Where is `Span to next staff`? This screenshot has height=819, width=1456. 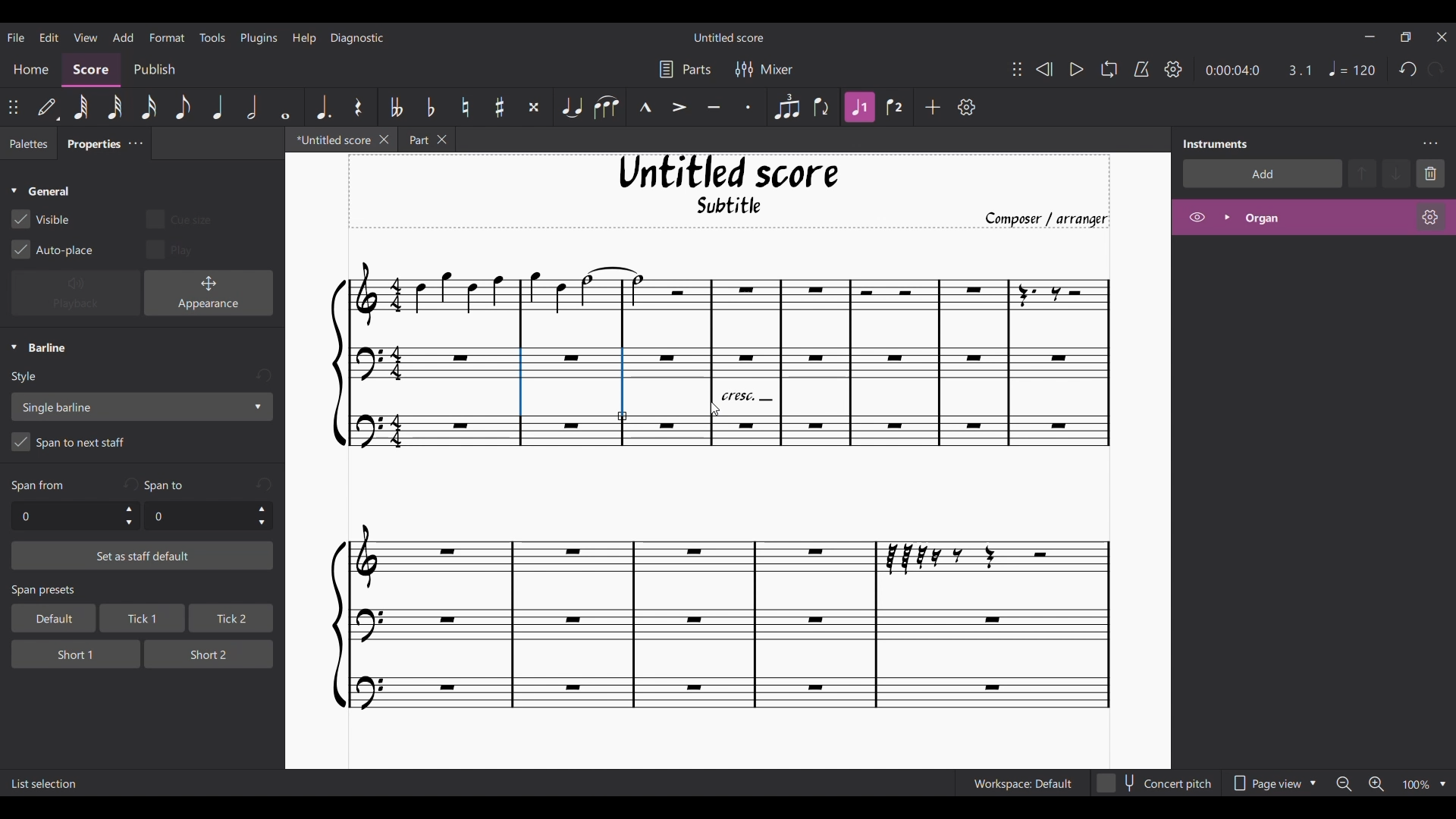 Span to next staff is located at coordinates (142, 444).